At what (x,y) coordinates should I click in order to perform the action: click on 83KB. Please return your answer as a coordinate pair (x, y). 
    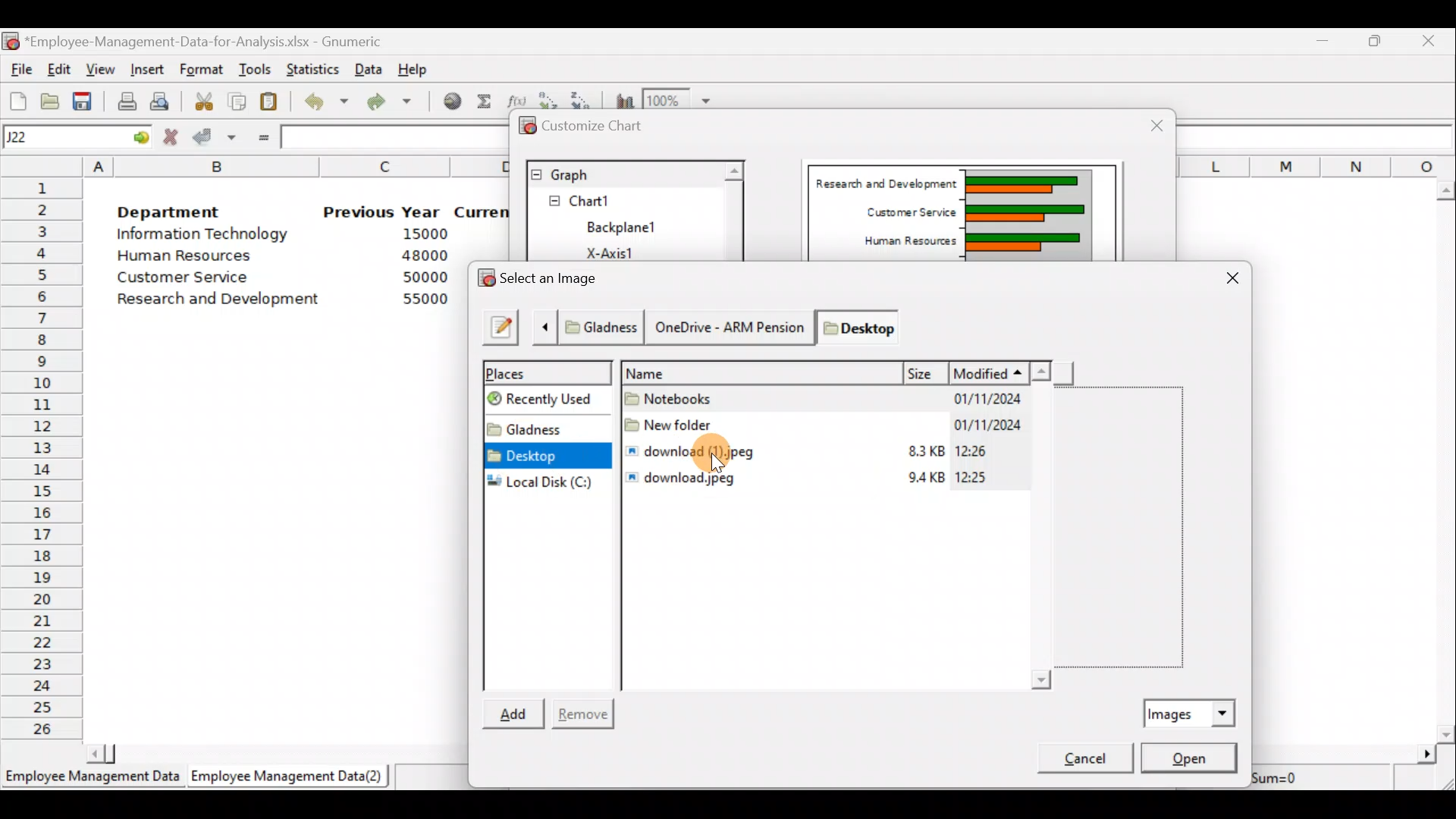
    Looking at the image, I should click on (918, 452).